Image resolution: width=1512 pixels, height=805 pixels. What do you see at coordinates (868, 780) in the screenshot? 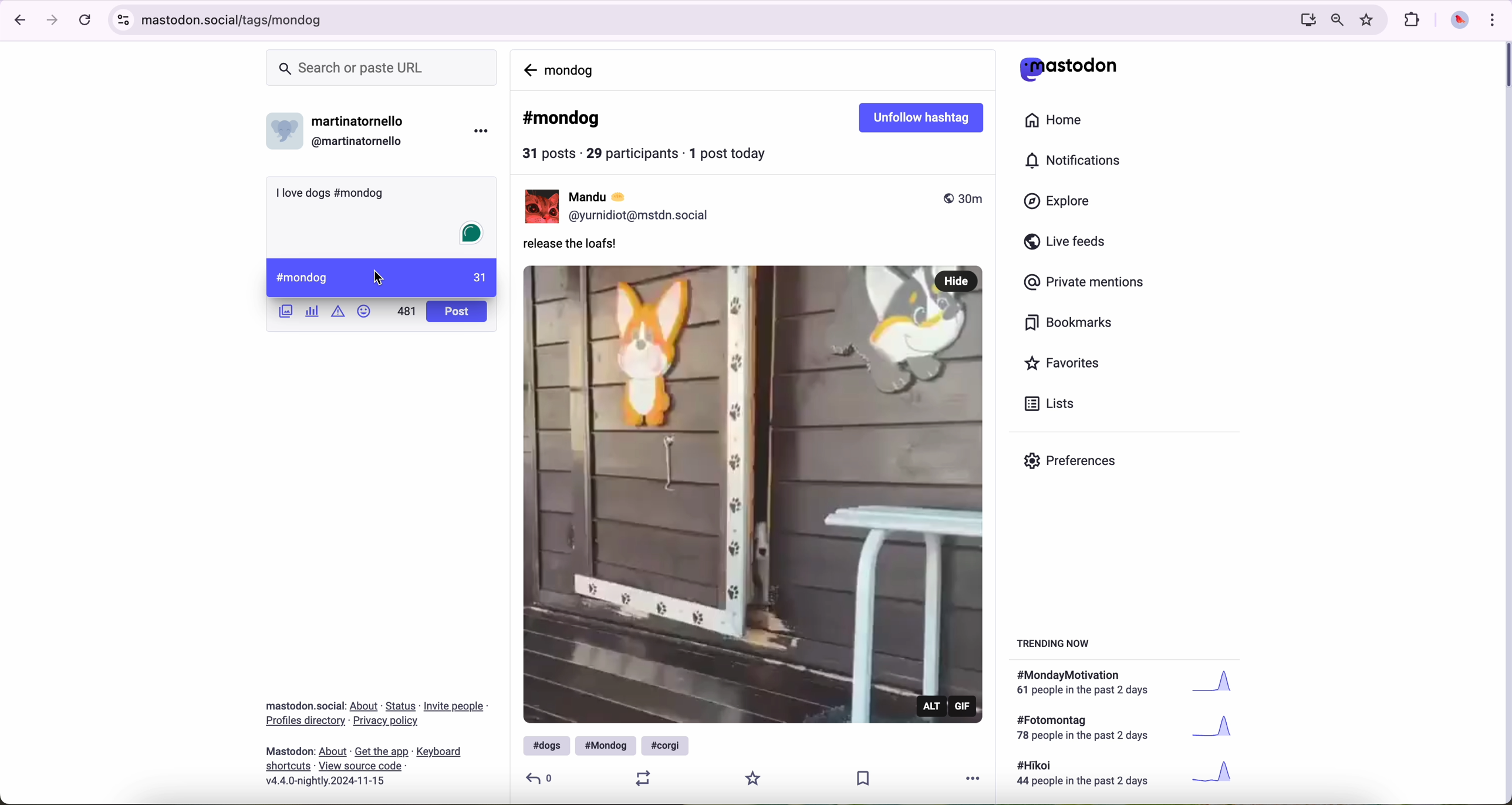
I see `save publication` at bounding box center [868, 780].